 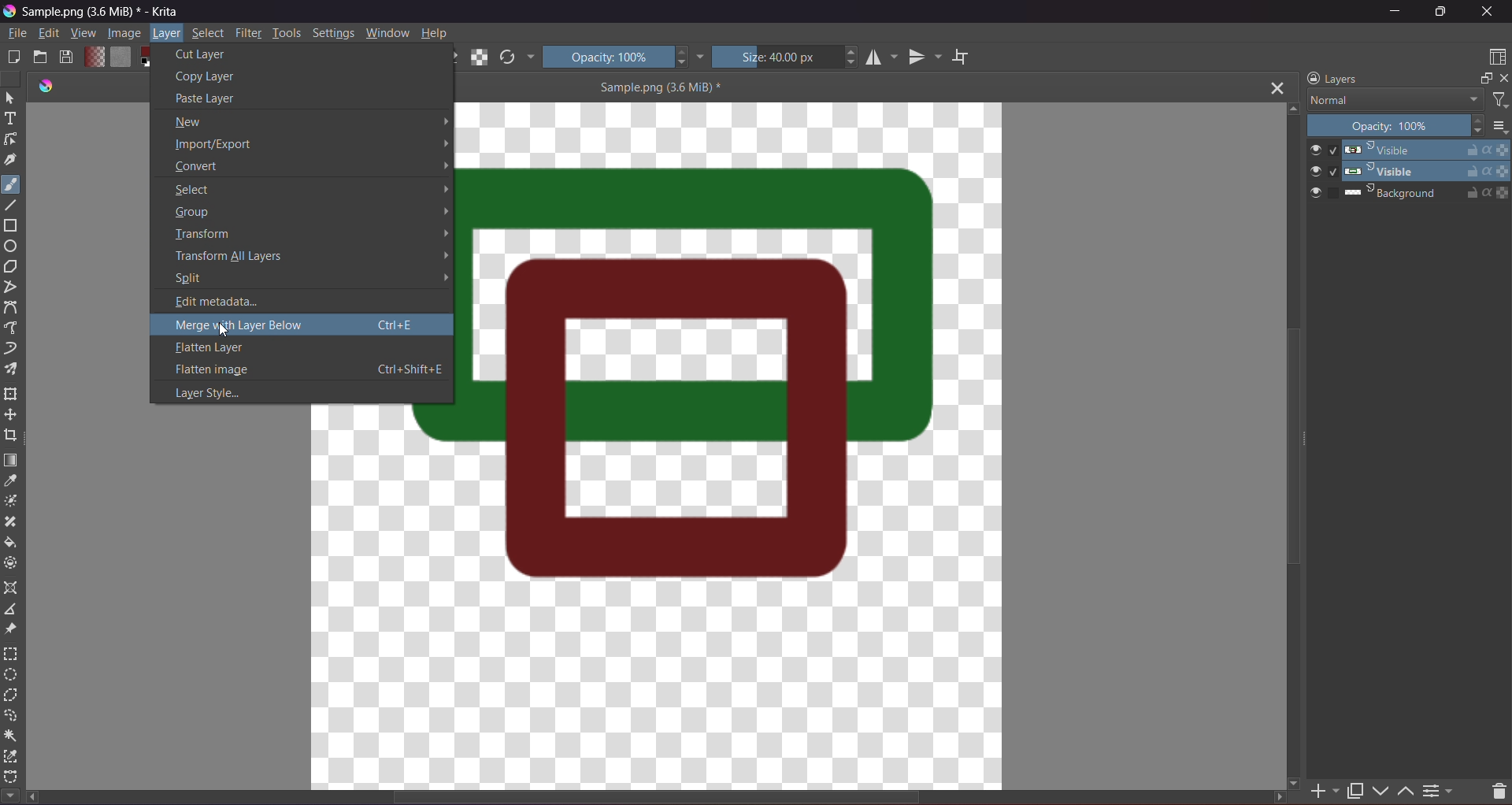 I want to click on Scroll up, so click(x=1291, y=108).